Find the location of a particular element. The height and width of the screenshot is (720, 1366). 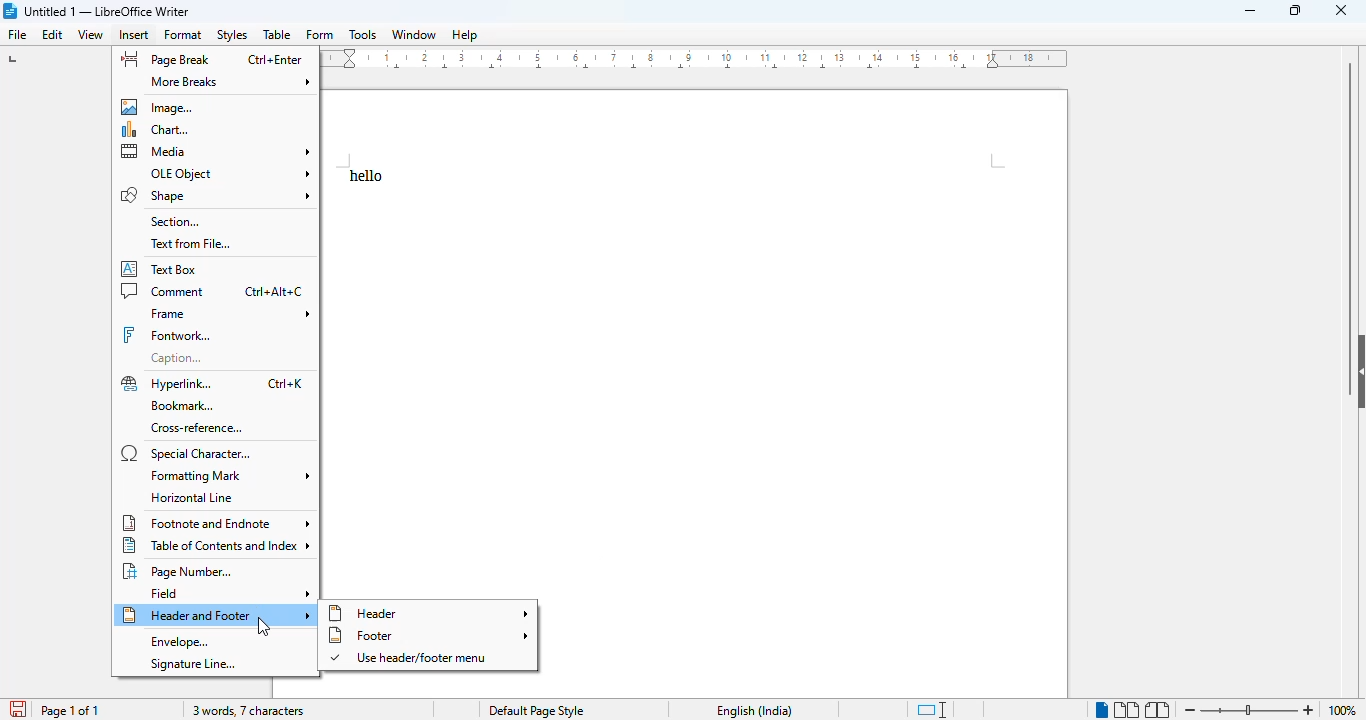

tools is located at coordinates (362, 34).